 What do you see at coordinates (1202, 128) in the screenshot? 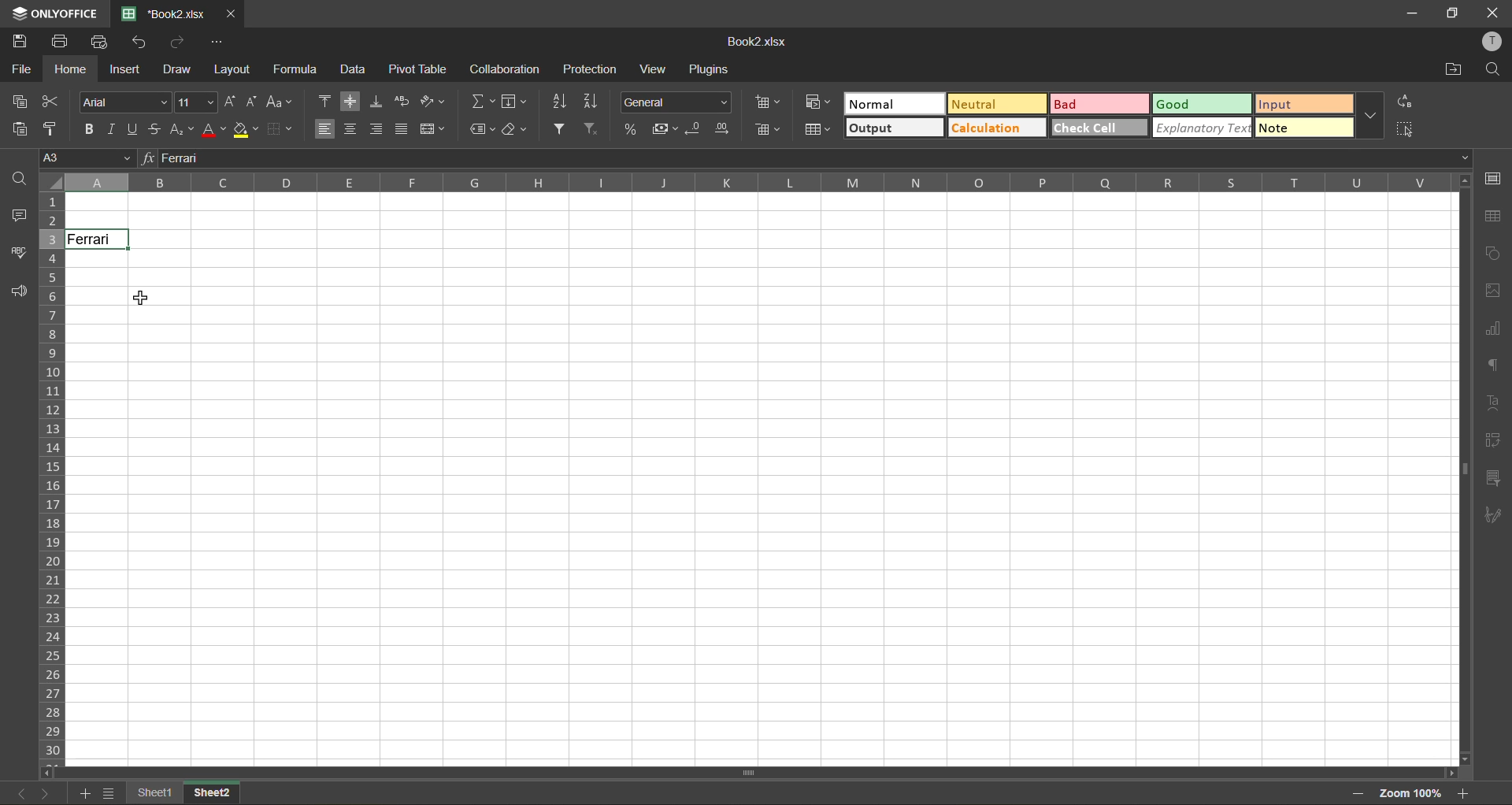
I see `explanatory text` at bounding box center [1202, 128].